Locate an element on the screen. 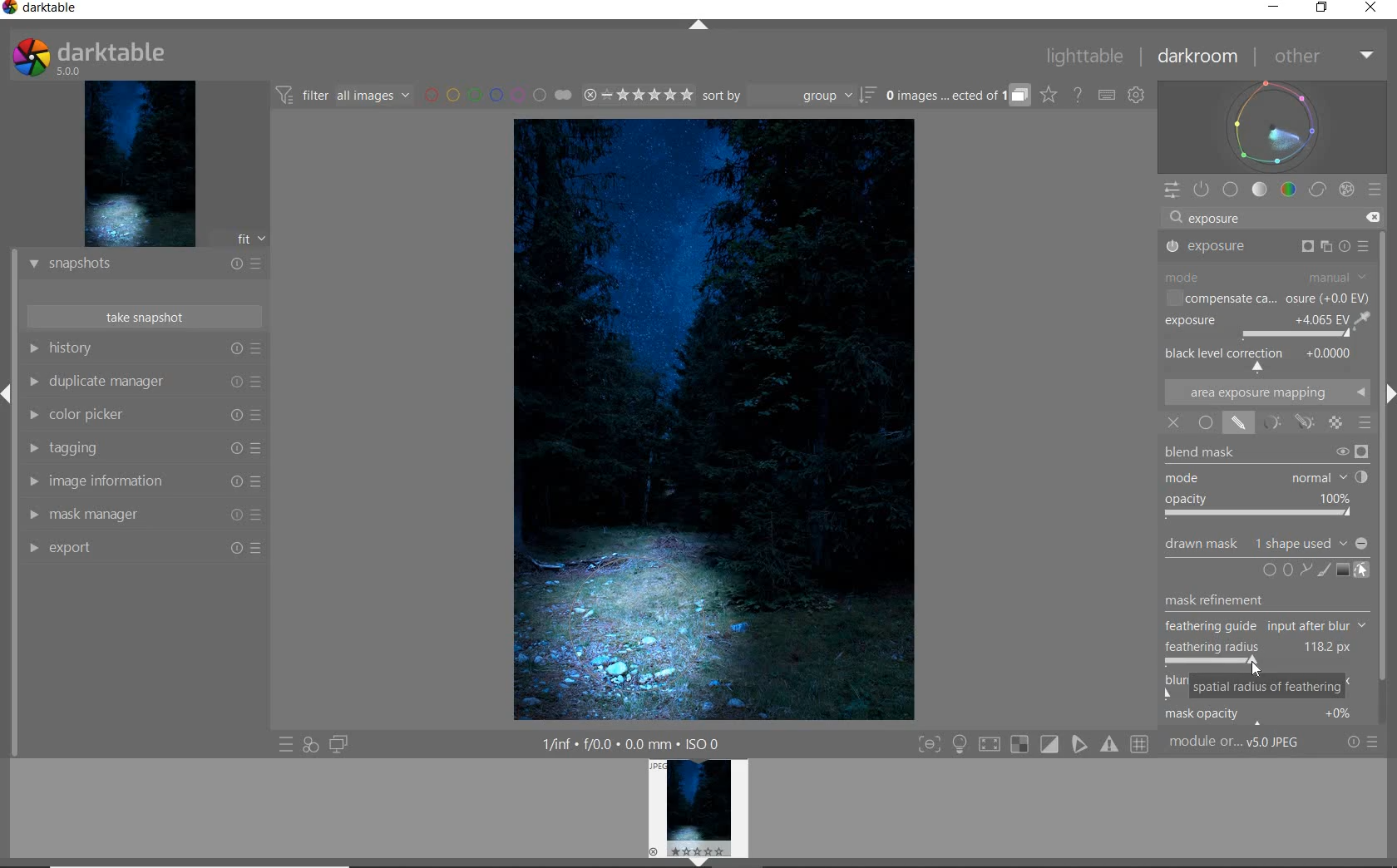 The image size is (1397, 868). Expand/Collapse is located at coordinates (1388, 391).